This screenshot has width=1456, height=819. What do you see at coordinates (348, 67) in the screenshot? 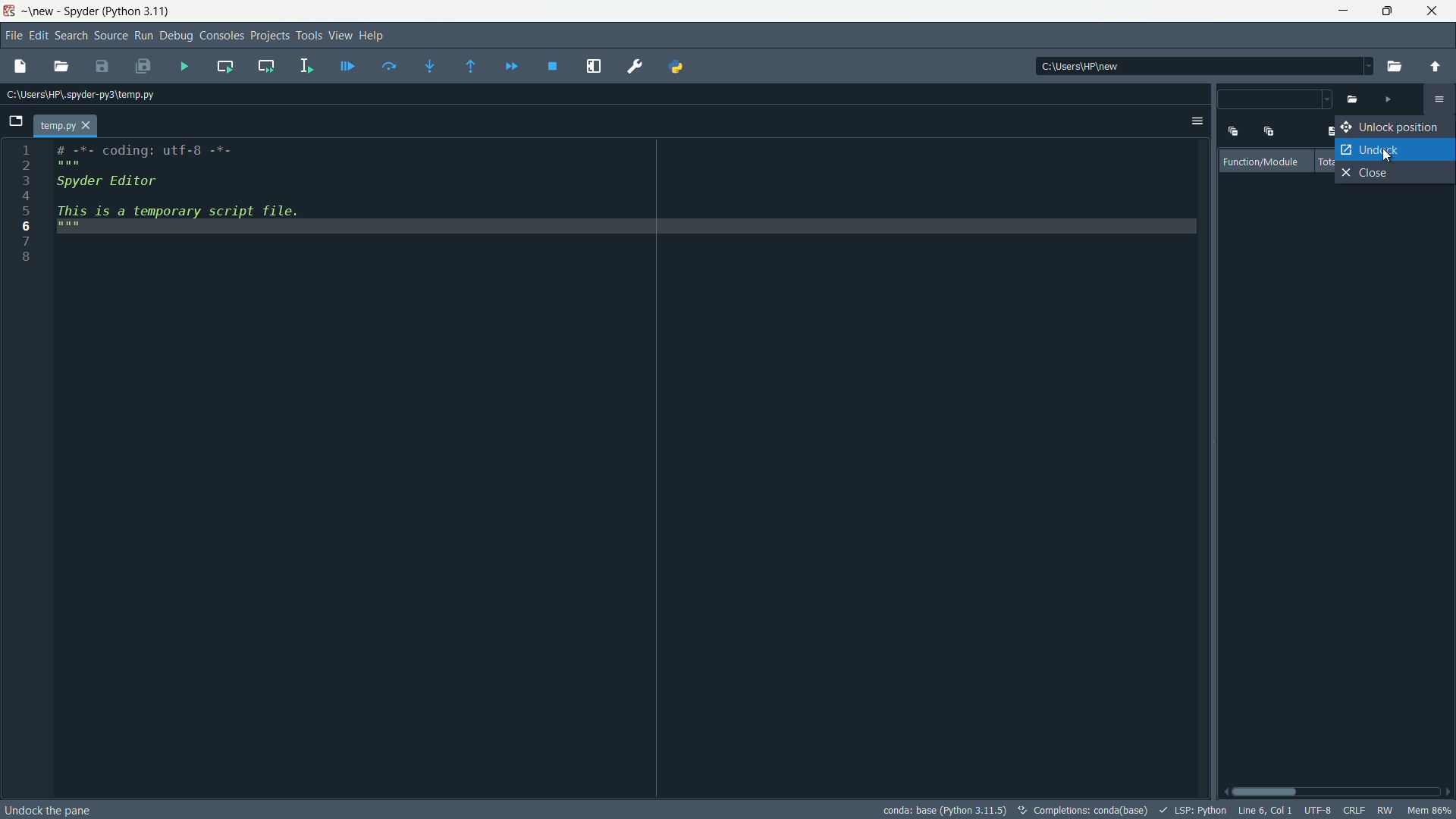
I see `debug file` at bounding box center [348, 67].